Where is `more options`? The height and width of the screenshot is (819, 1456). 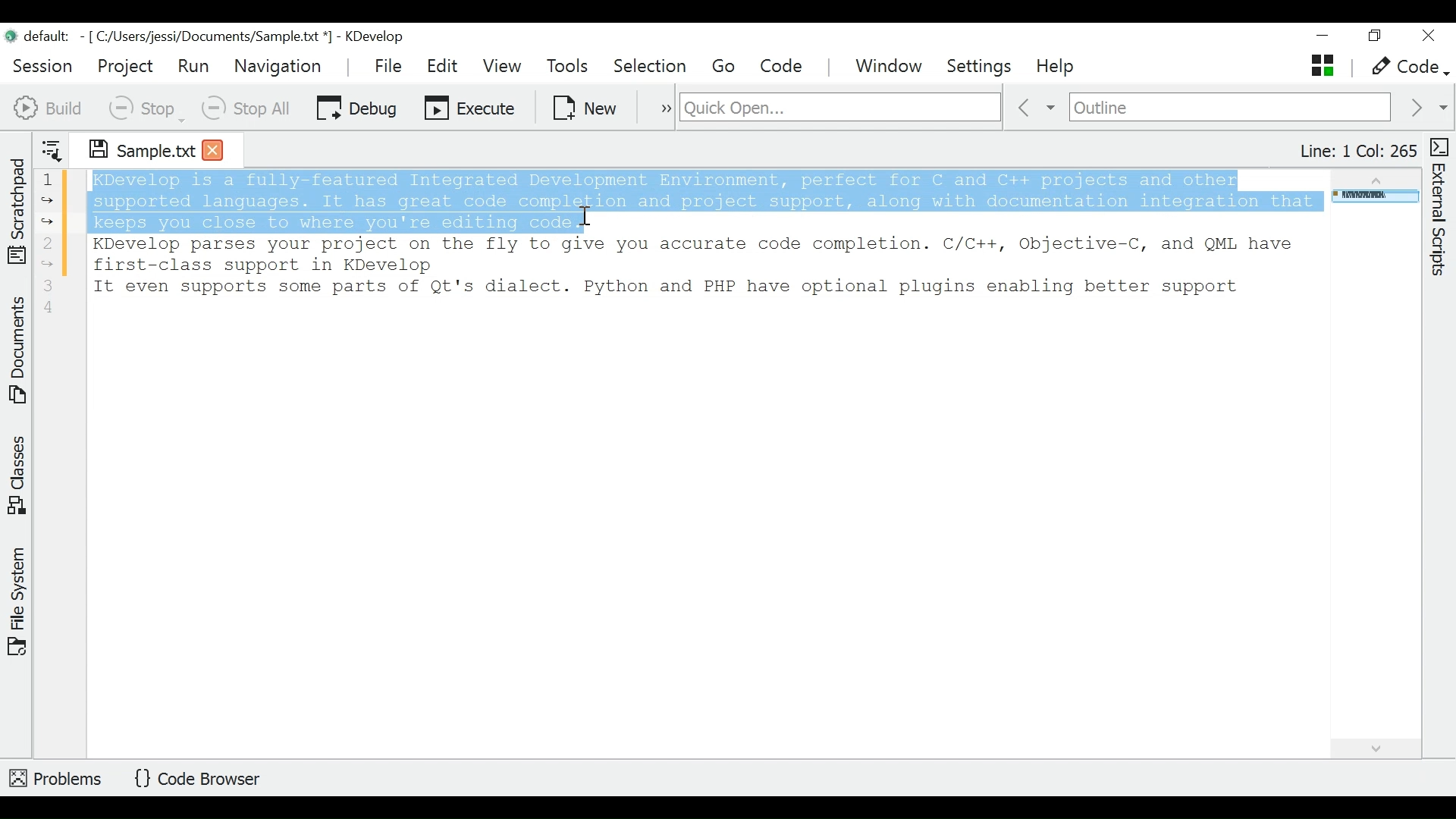
more options is located at coordinates (658, 106).